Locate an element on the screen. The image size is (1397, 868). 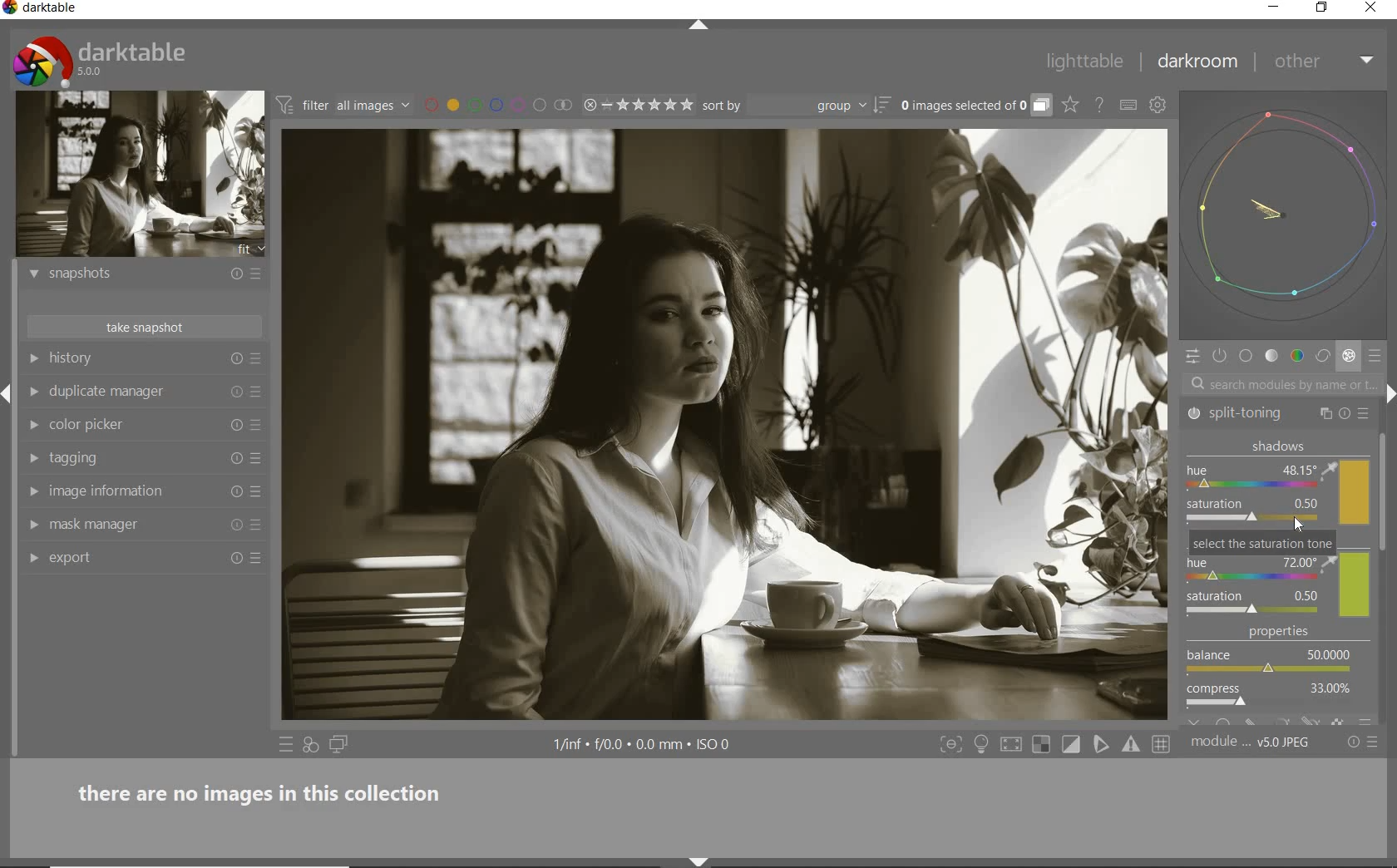
show module is located at coordinates (32, 274).